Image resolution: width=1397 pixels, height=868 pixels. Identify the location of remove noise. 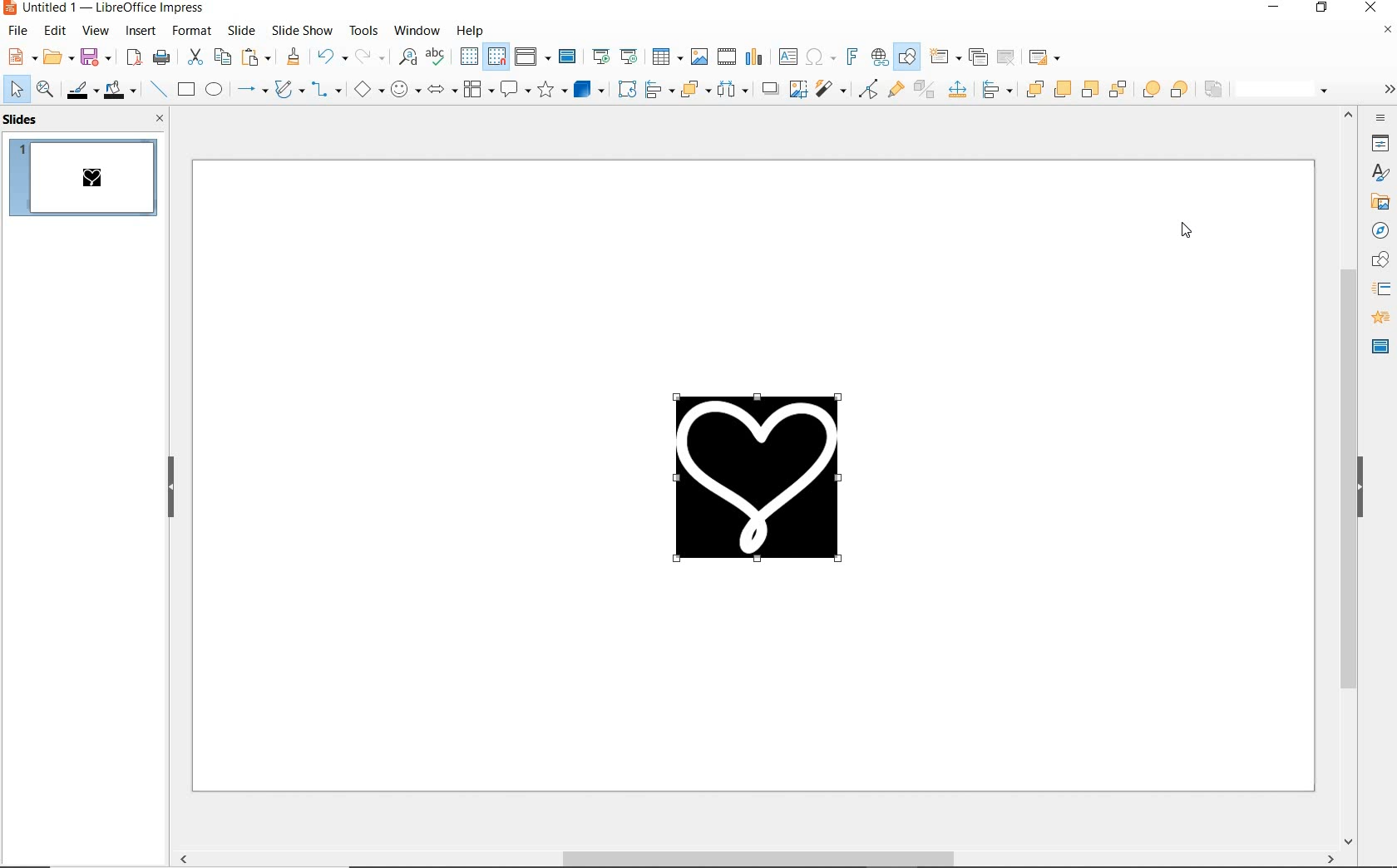
(1386, 89).